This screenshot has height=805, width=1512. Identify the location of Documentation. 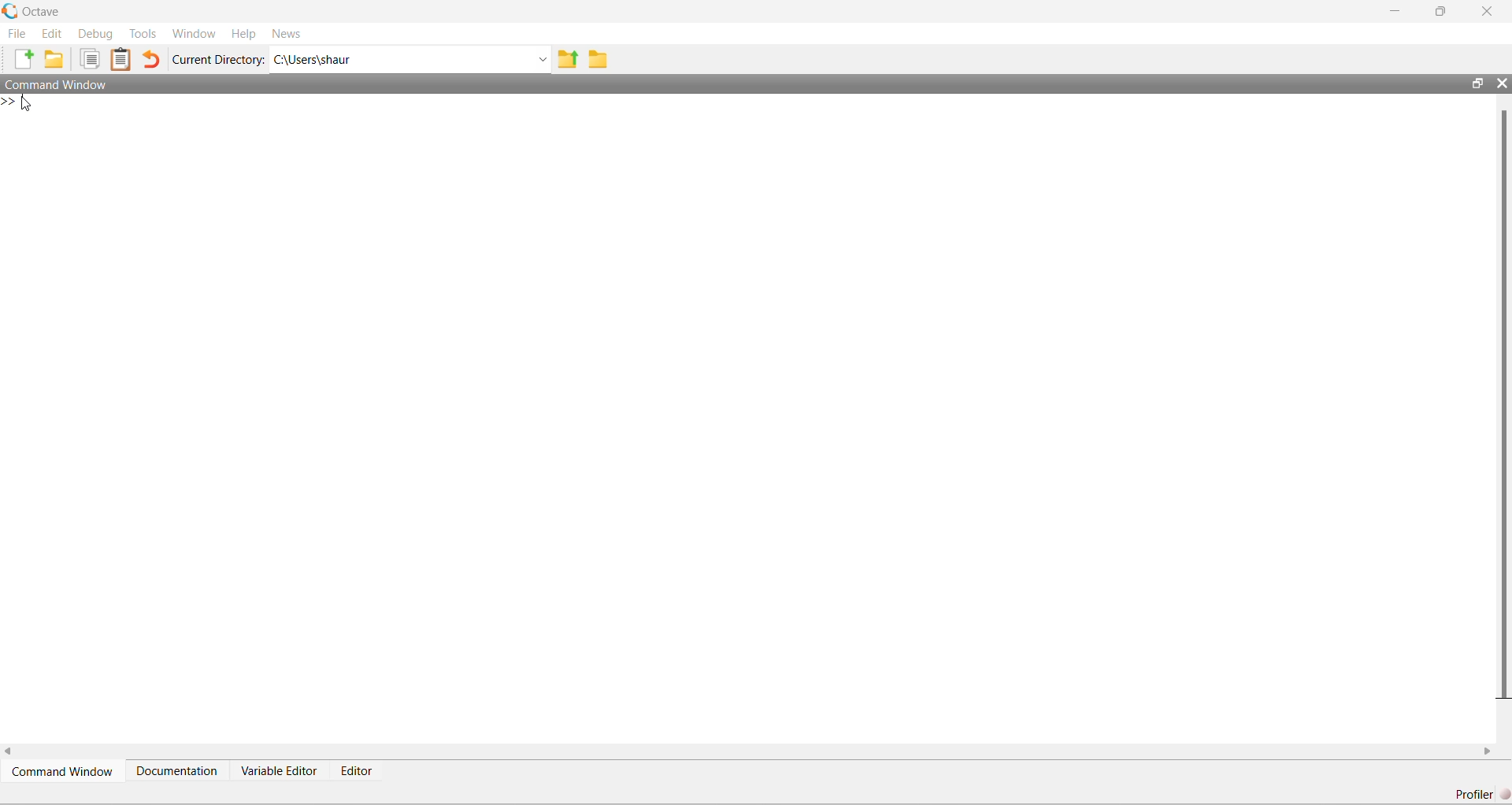
(177, 770).